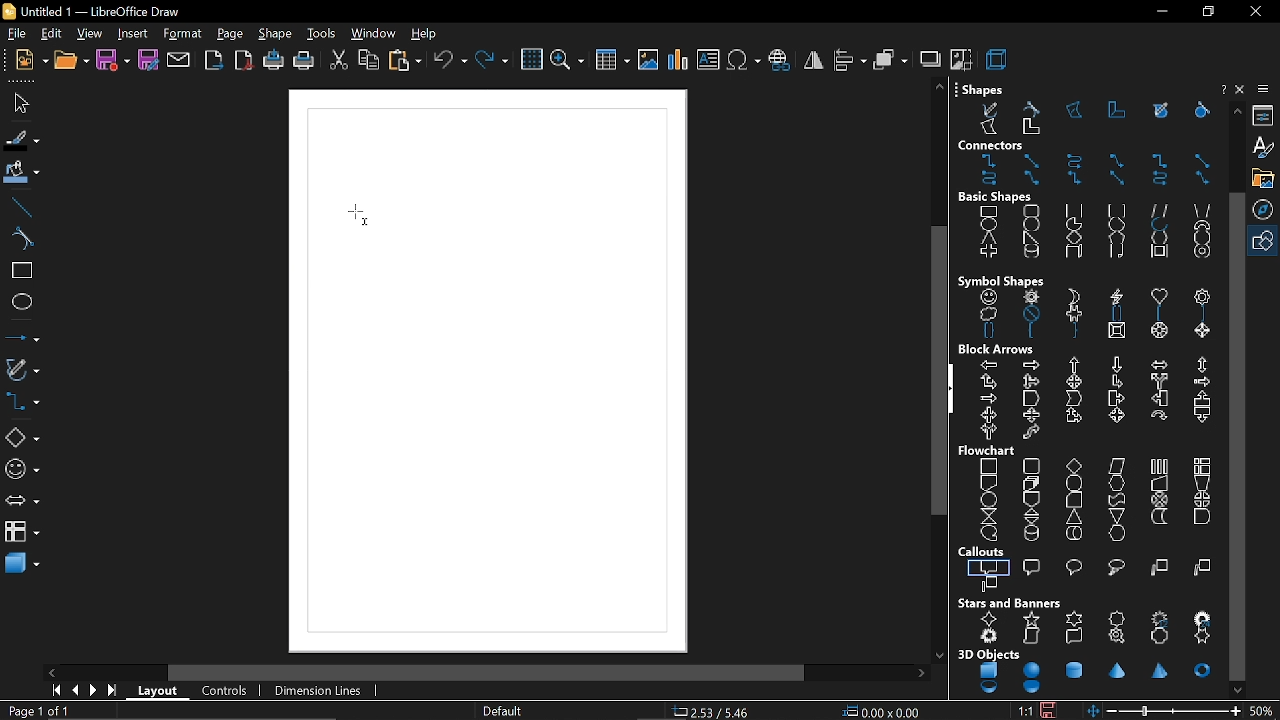 The image size is (1280, 720). Describe the element at coordinates (1029, 533) in the screenshot. I see `magnetic disc` at that location.